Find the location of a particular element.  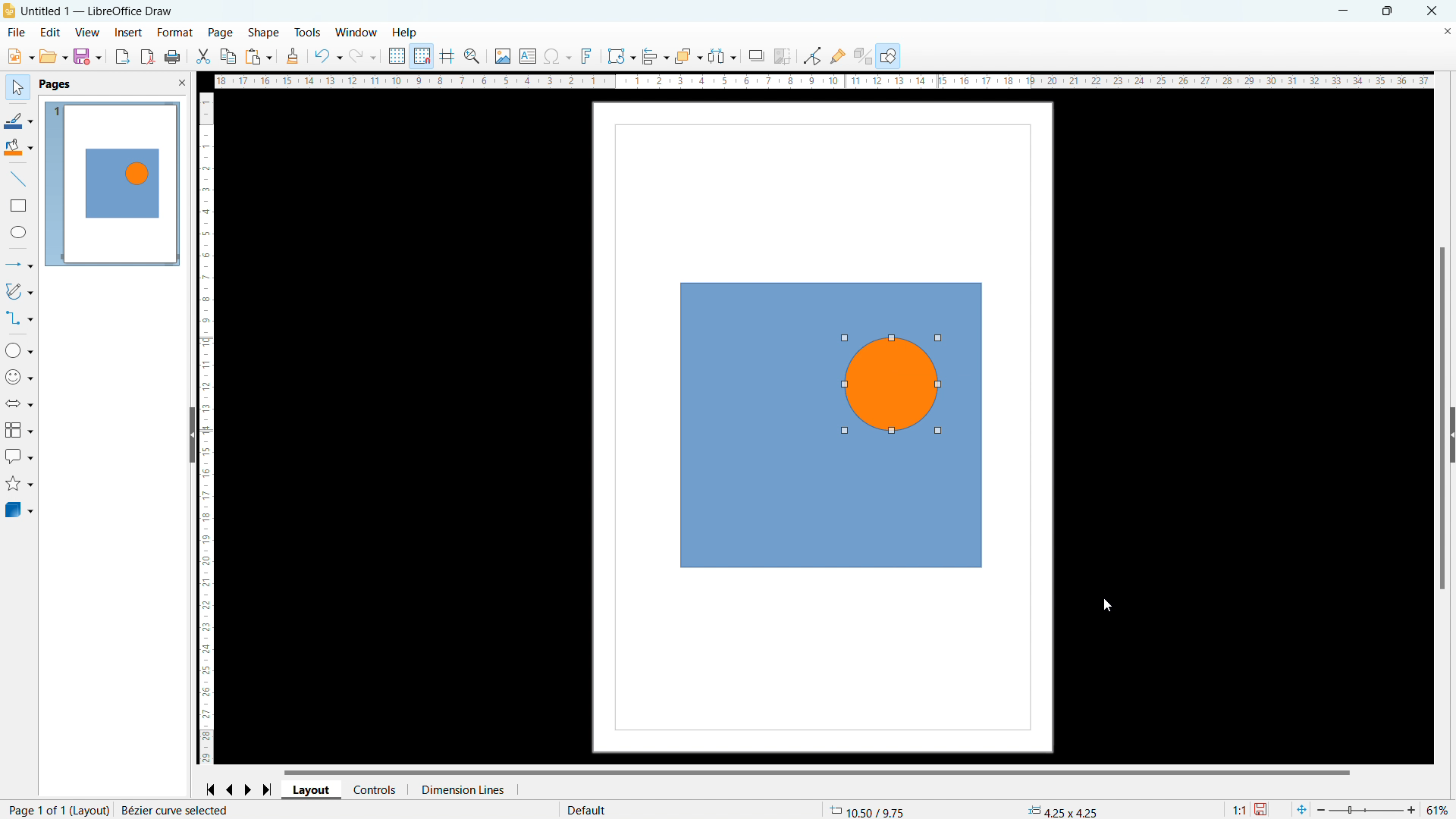

toggle point edit mode is located at coordinates (812, 55).